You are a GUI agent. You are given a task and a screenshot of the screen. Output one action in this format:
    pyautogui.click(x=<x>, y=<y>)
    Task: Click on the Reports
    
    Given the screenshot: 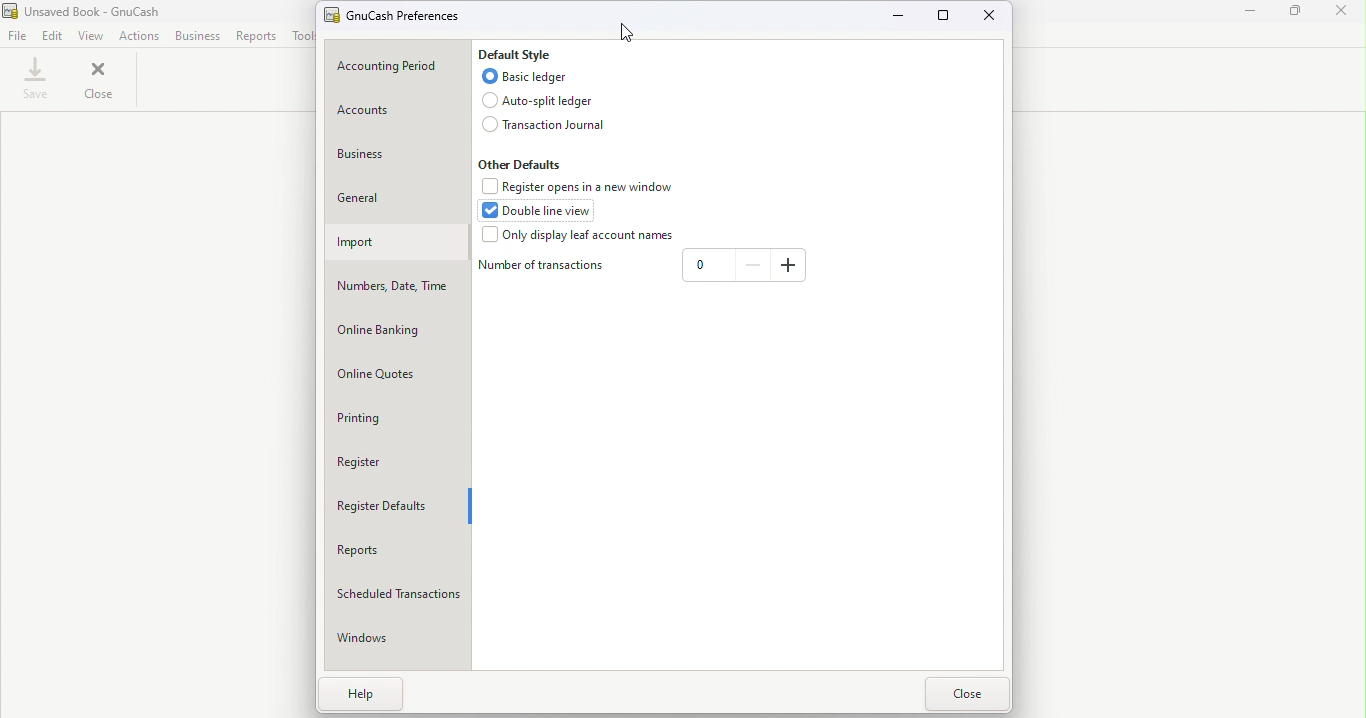 What is the action you would take?
    pyautogui.click(x=388, y=551)
    